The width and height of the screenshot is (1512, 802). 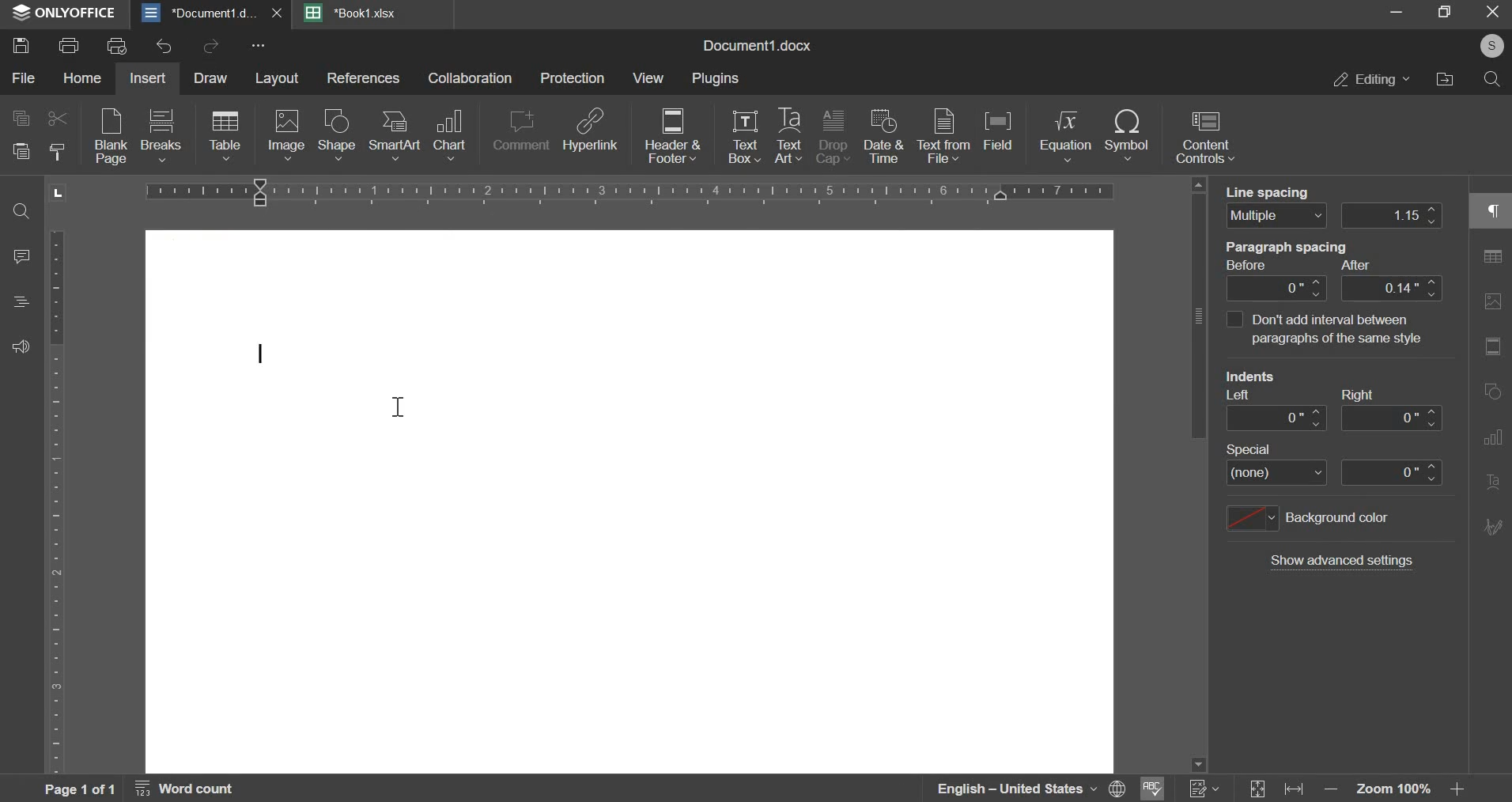 I want to click on header & footer, so click(x=671, y=138).